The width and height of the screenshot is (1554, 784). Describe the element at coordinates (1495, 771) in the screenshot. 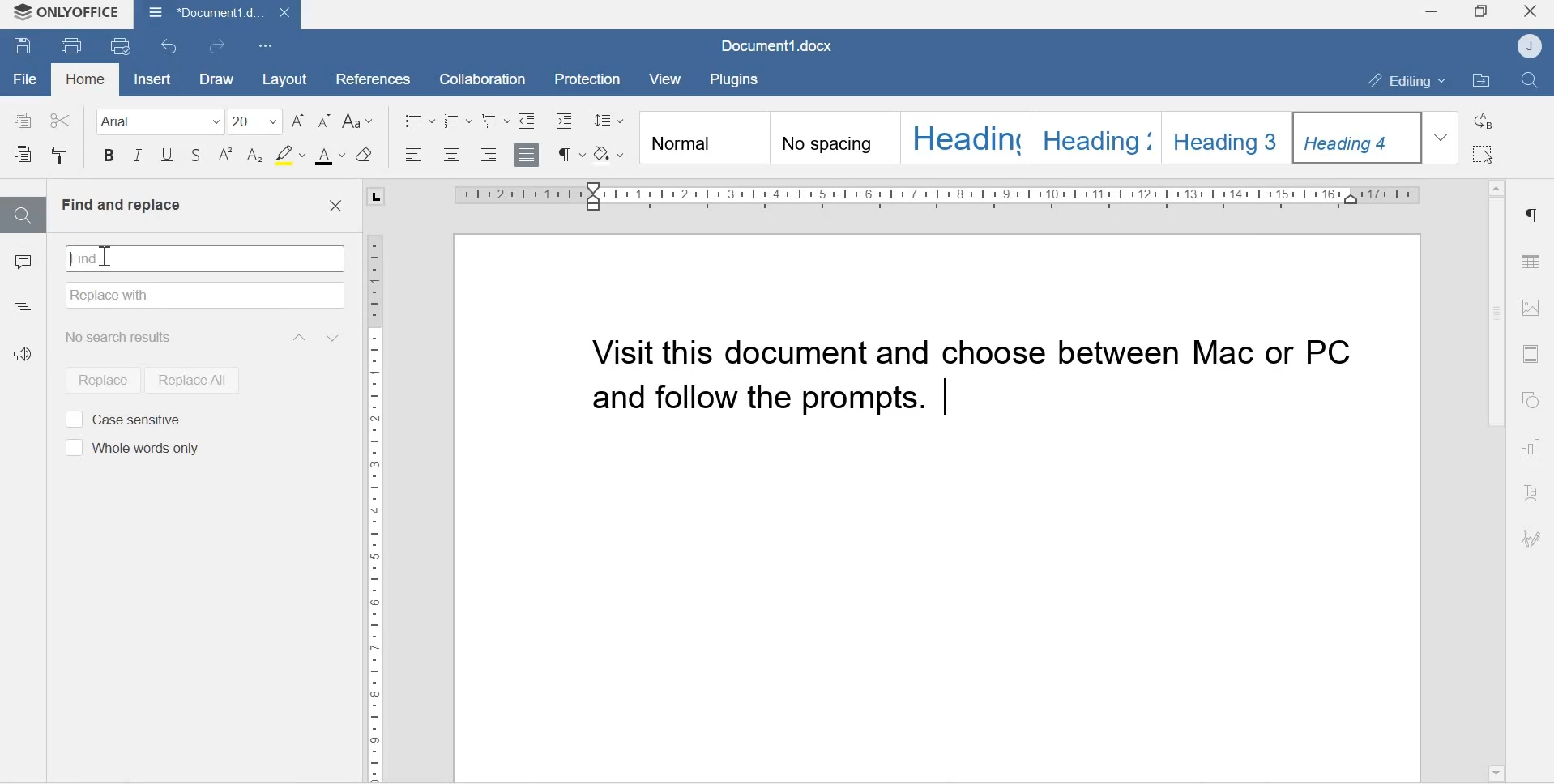

I see `Scroll down` at that location.